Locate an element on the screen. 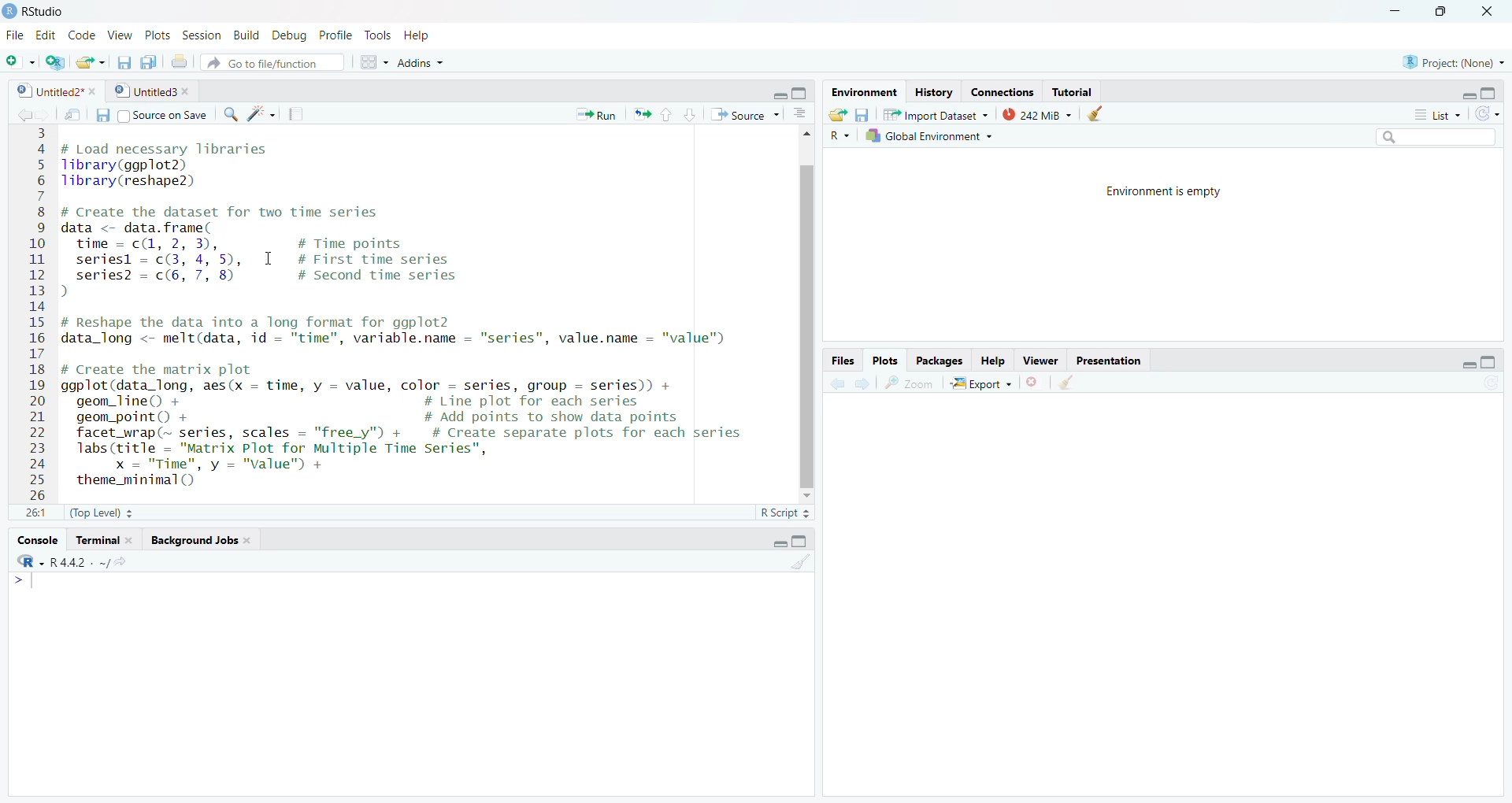 The image size is (1512, 803). Maximize is located at coordinates (1492, 94).